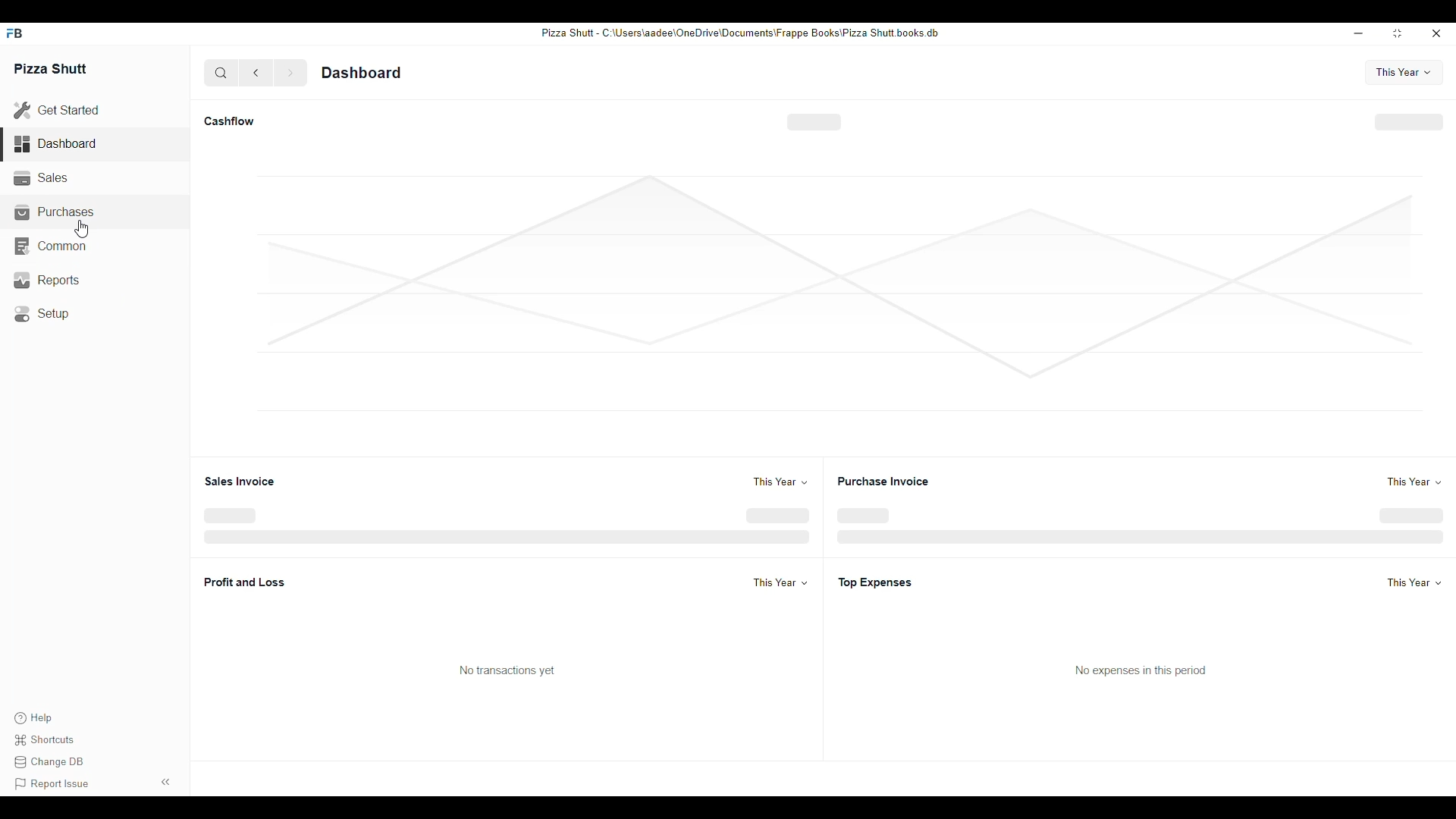 The image size is (1456, 819). I want to click on Help, so click(32, 718).